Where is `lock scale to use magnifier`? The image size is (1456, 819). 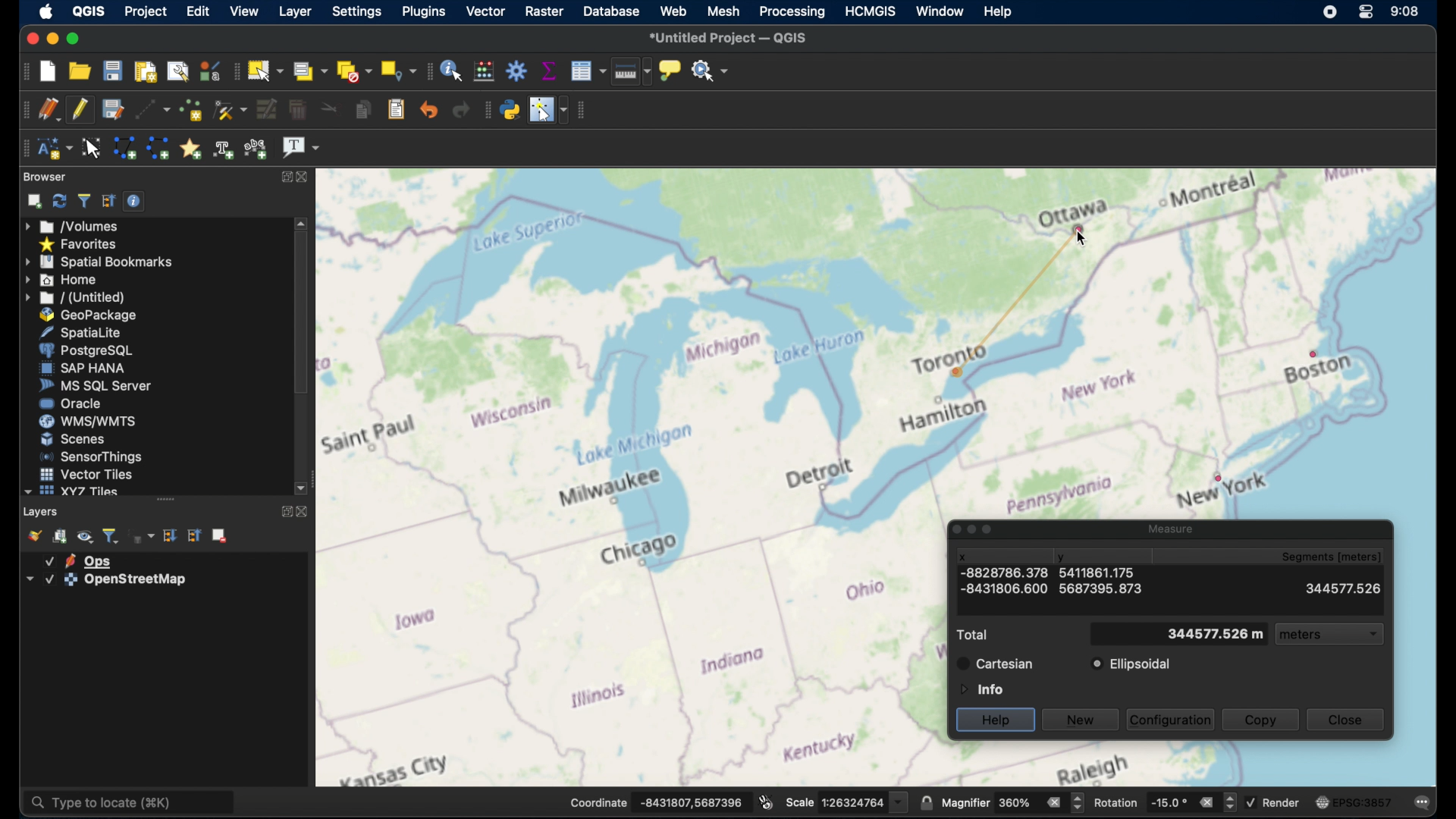 lock scale to use magnifier is located at coordinates (926, 803).